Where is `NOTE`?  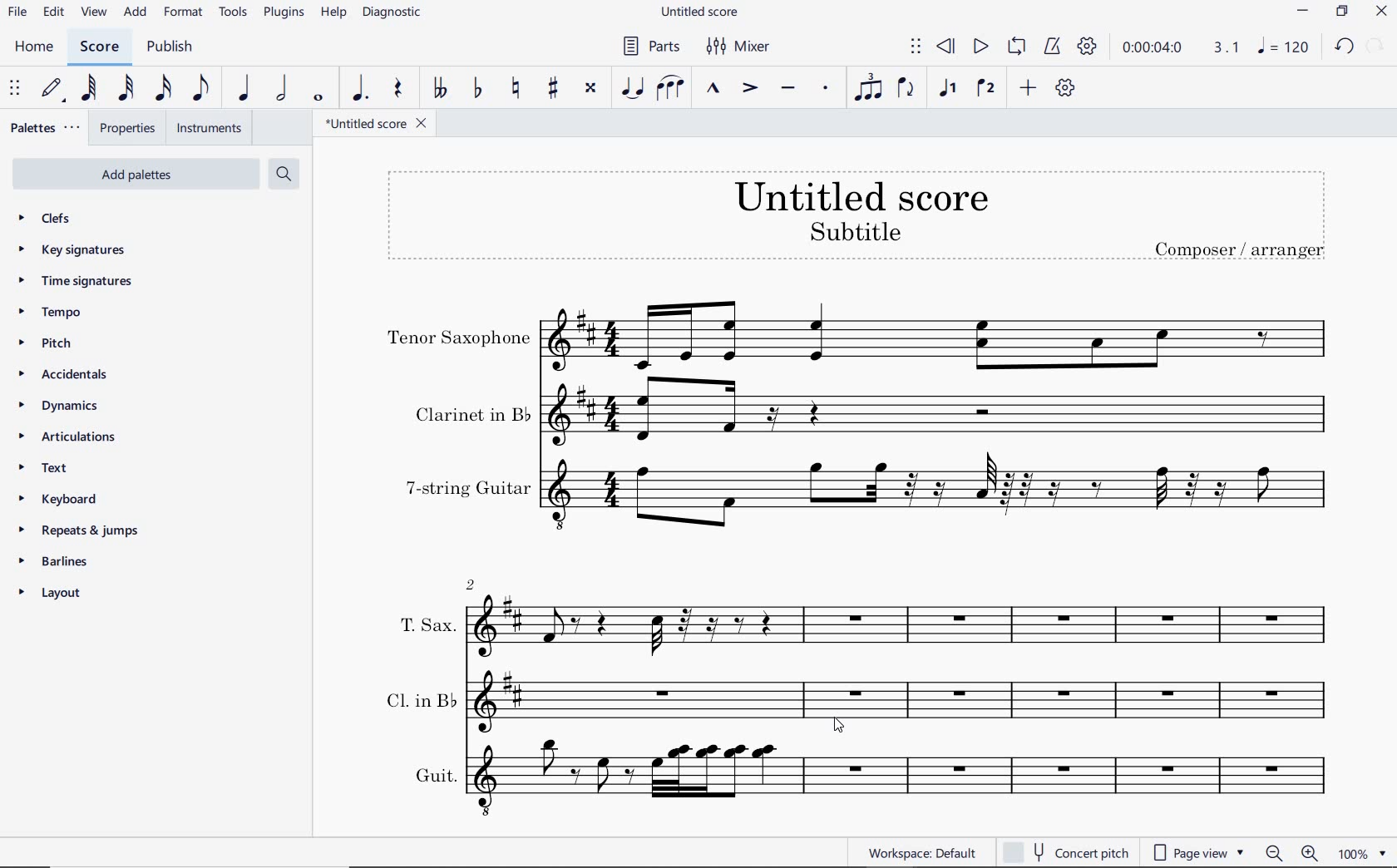 NOTE is located at coordinates (1283, 46).